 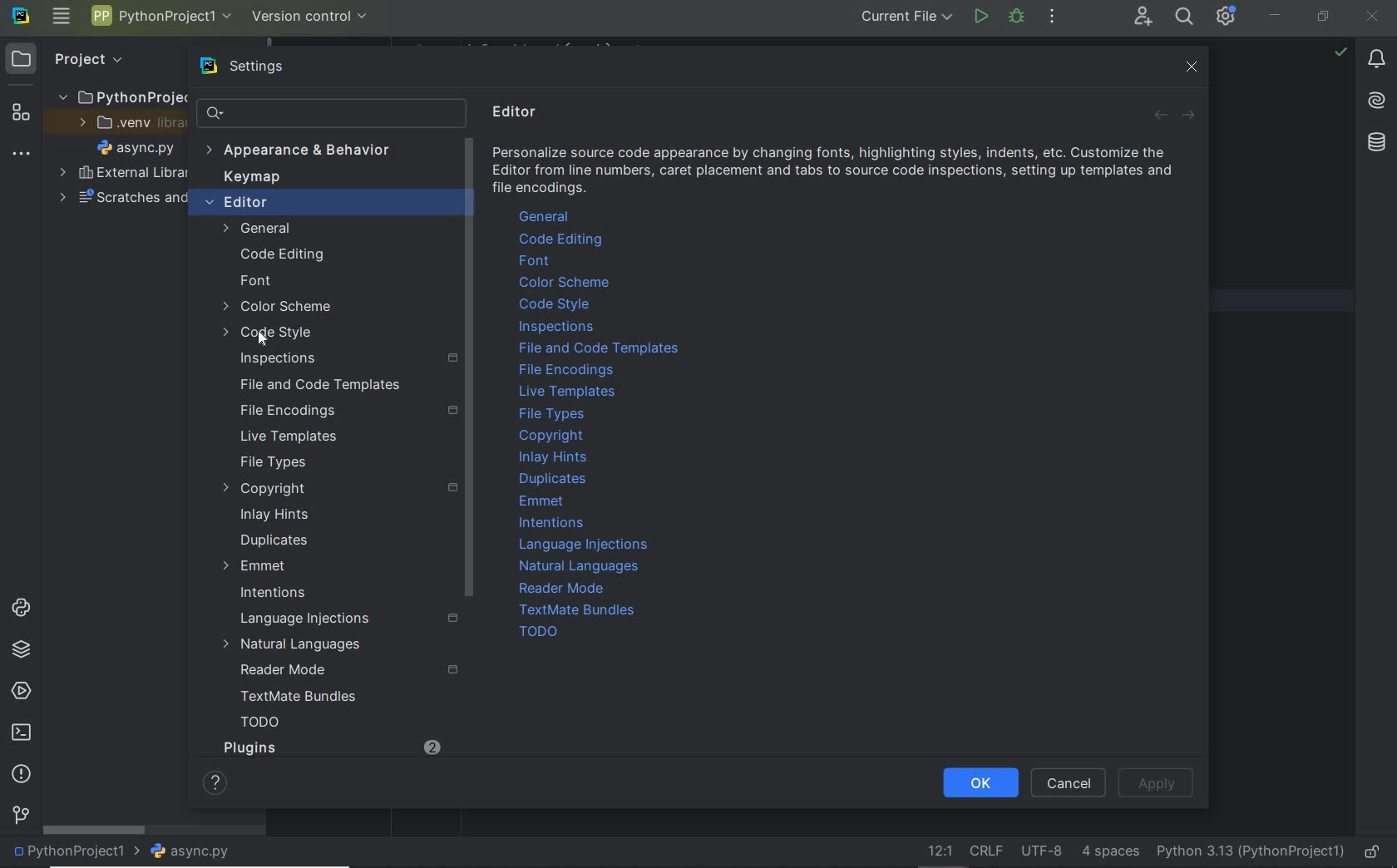 What do you see at coordinates (260, 336) in the screenshot?
I see `Cursor Position` at bounding box center [260, 336].